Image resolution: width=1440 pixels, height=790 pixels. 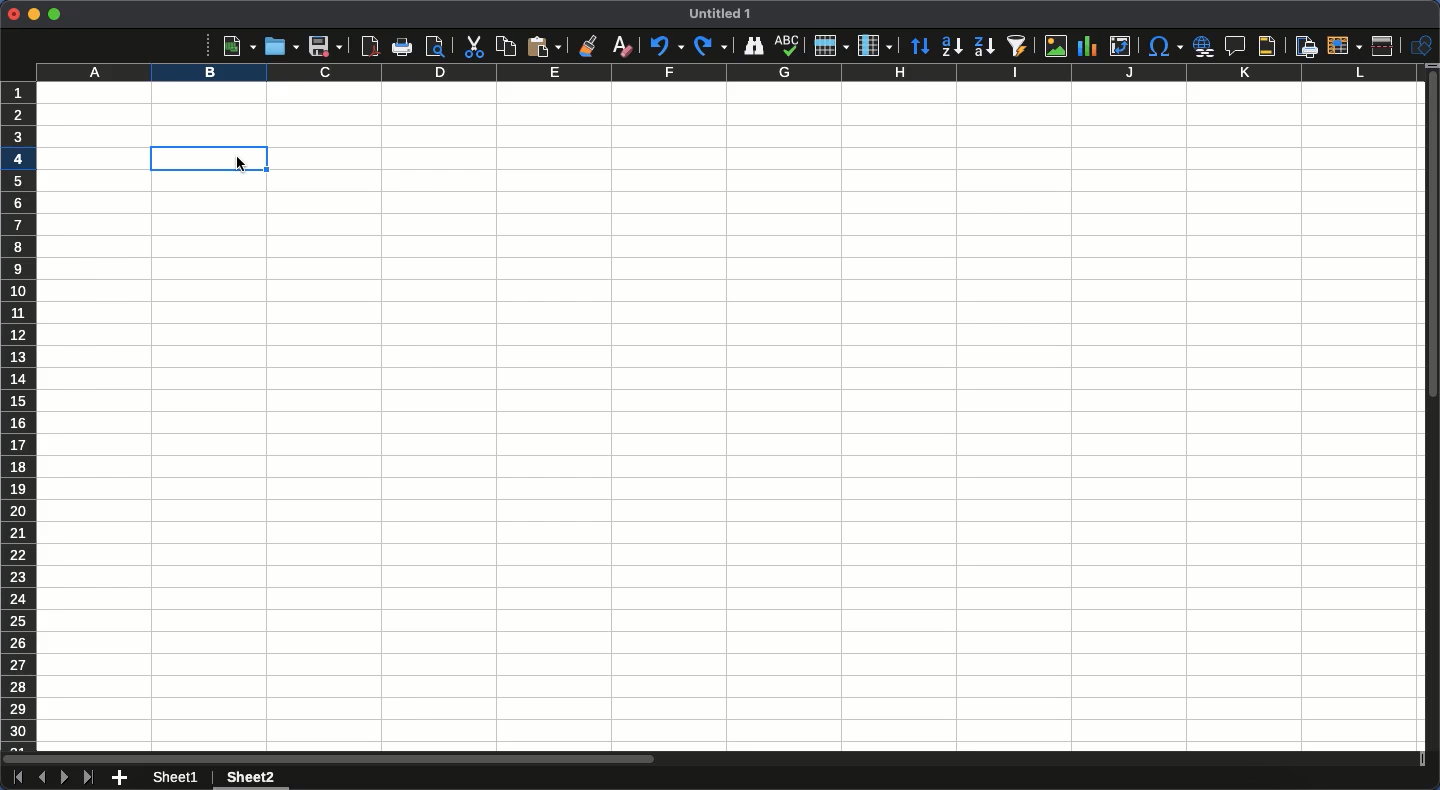 What do you see at coordinates (710, 45) in the screenshot?
I see `Redo` at bounding box center [710, 45].